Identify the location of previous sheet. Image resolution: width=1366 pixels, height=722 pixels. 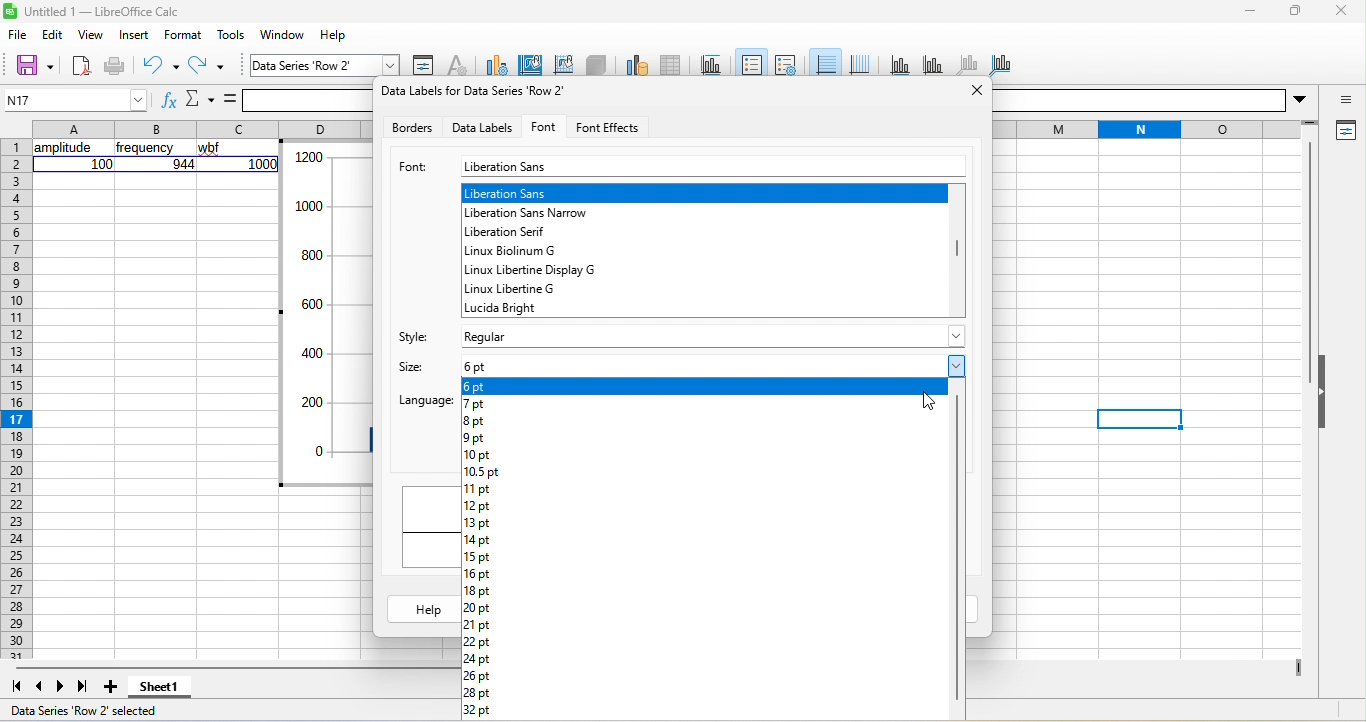
(41, 687).